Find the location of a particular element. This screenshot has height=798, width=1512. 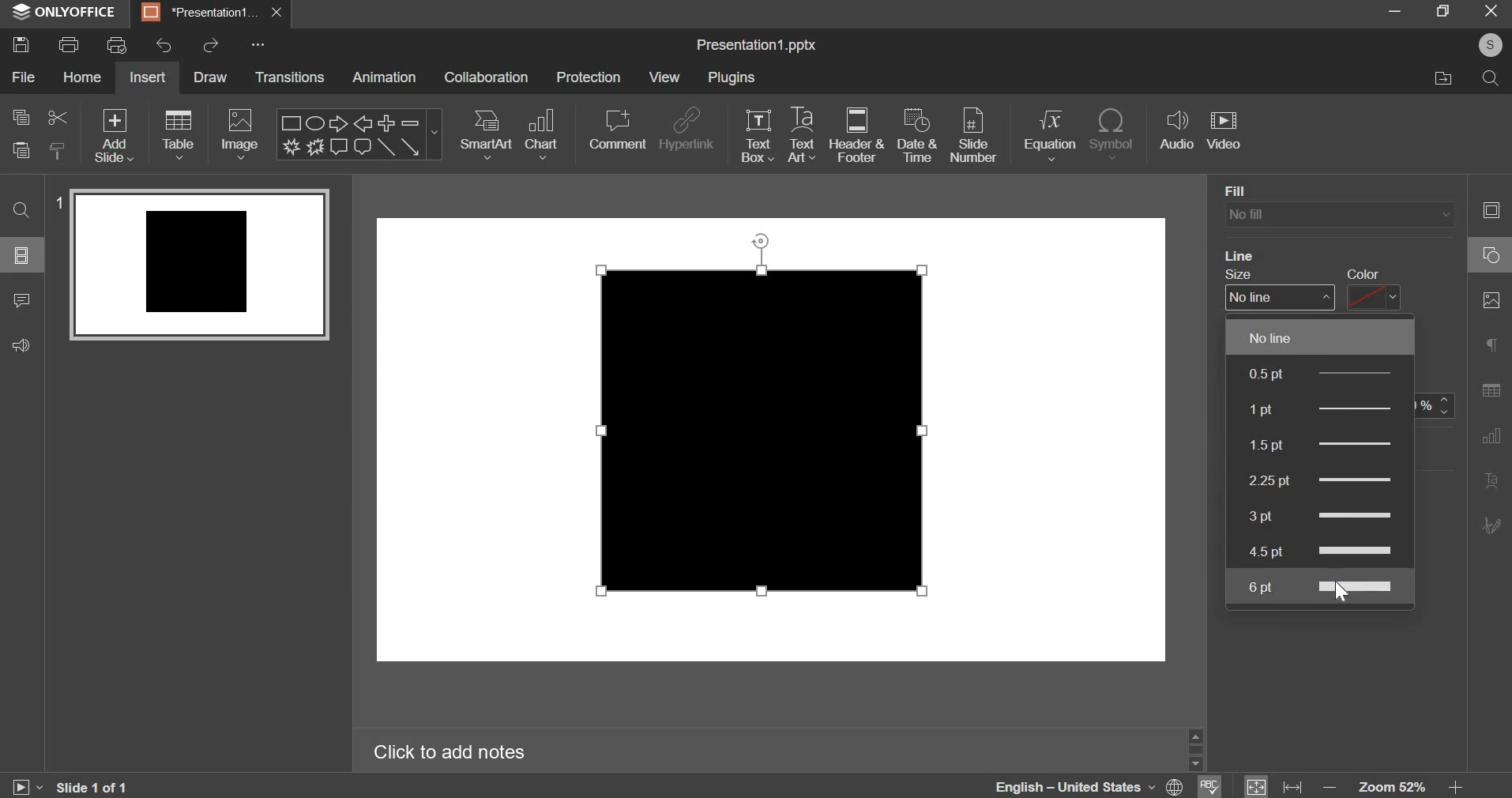

file is located at coordinates (22, 76).